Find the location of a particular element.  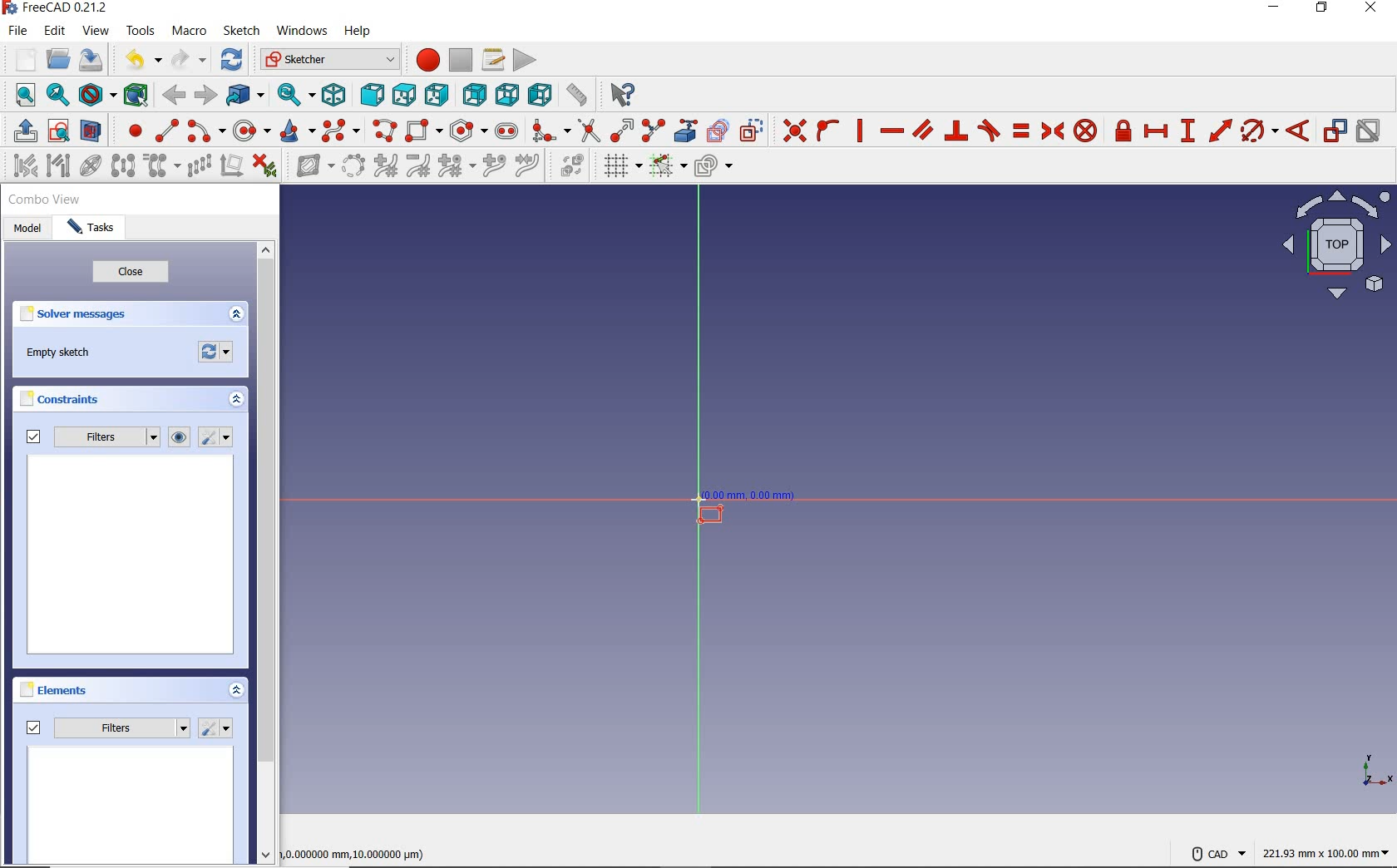

symmetry is located at coordinates (122, 165).